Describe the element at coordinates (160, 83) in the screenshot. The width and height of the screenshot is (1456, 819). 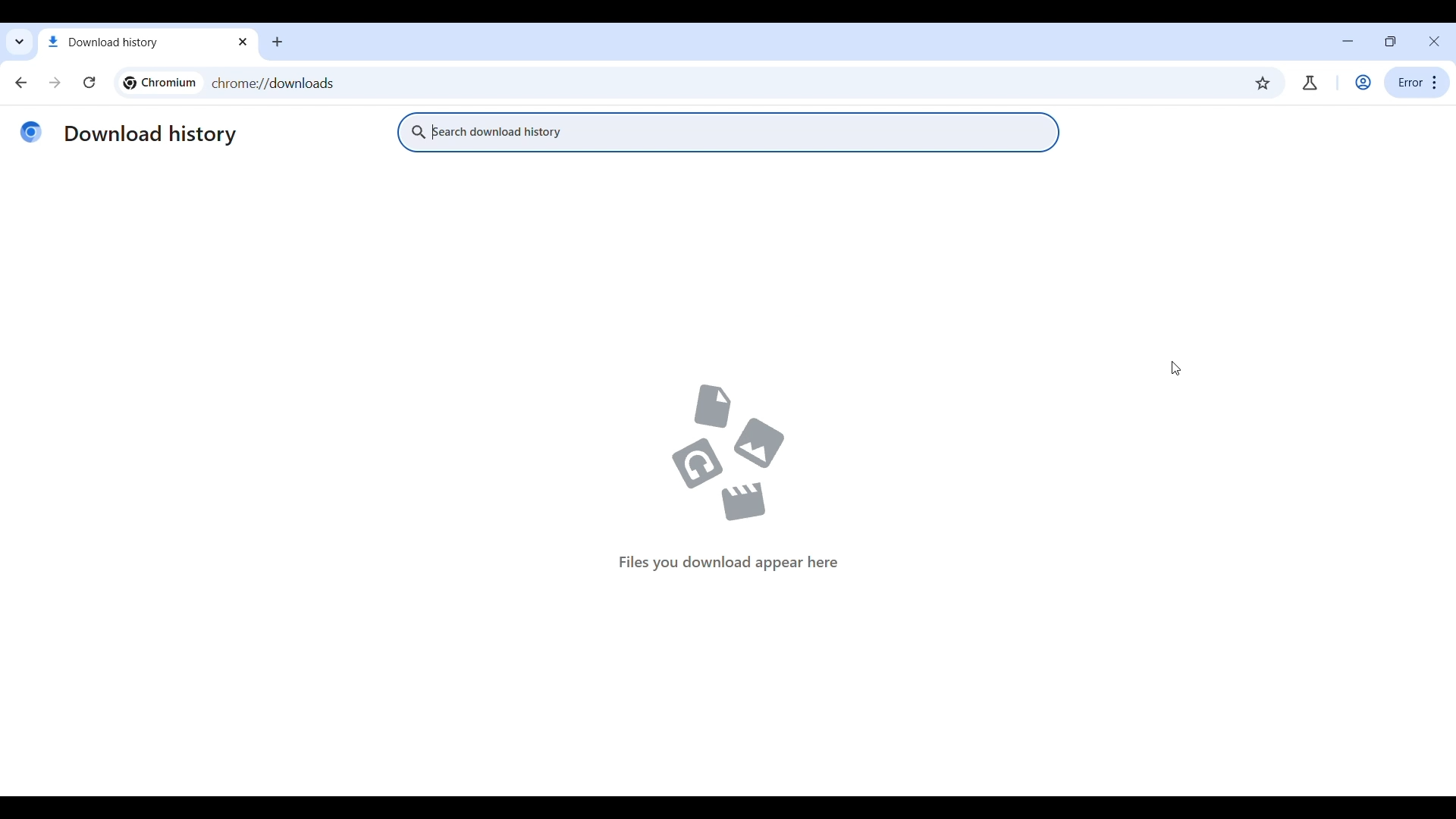
I see `chromium ` at that location.